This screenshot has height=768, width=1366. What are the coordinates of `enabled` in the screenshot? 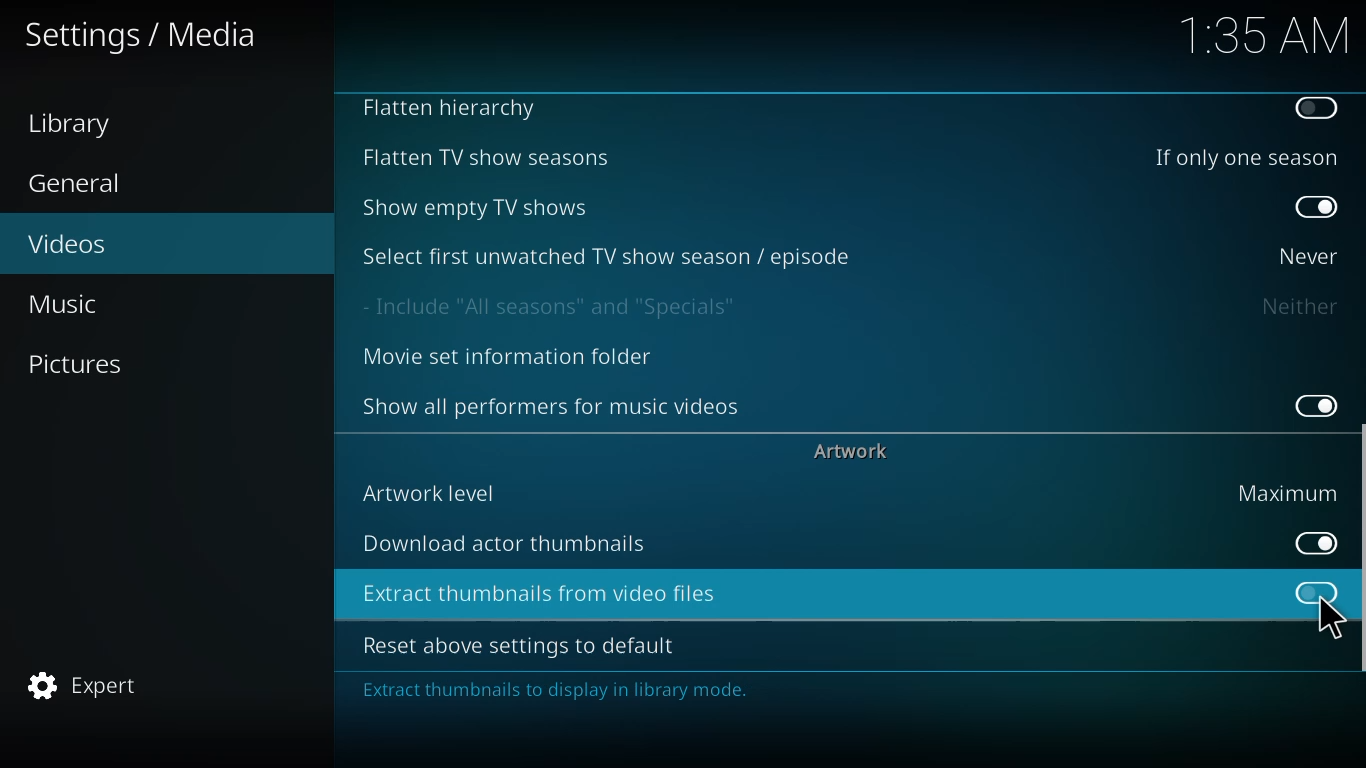 It's located at (1308, 542).